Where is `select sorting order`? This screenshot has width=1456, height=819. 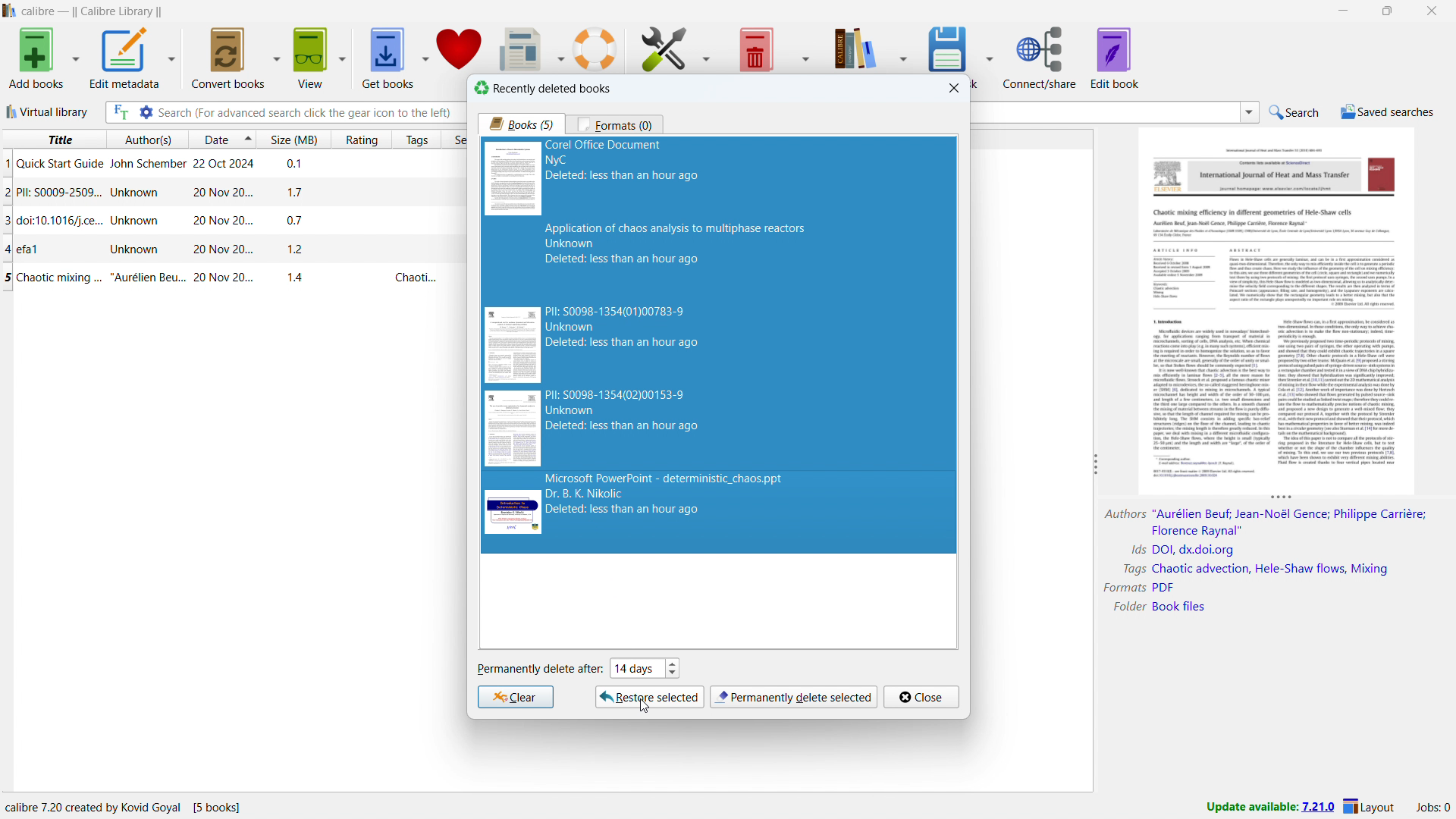
select sorting order is located at coordinates (248, 139).